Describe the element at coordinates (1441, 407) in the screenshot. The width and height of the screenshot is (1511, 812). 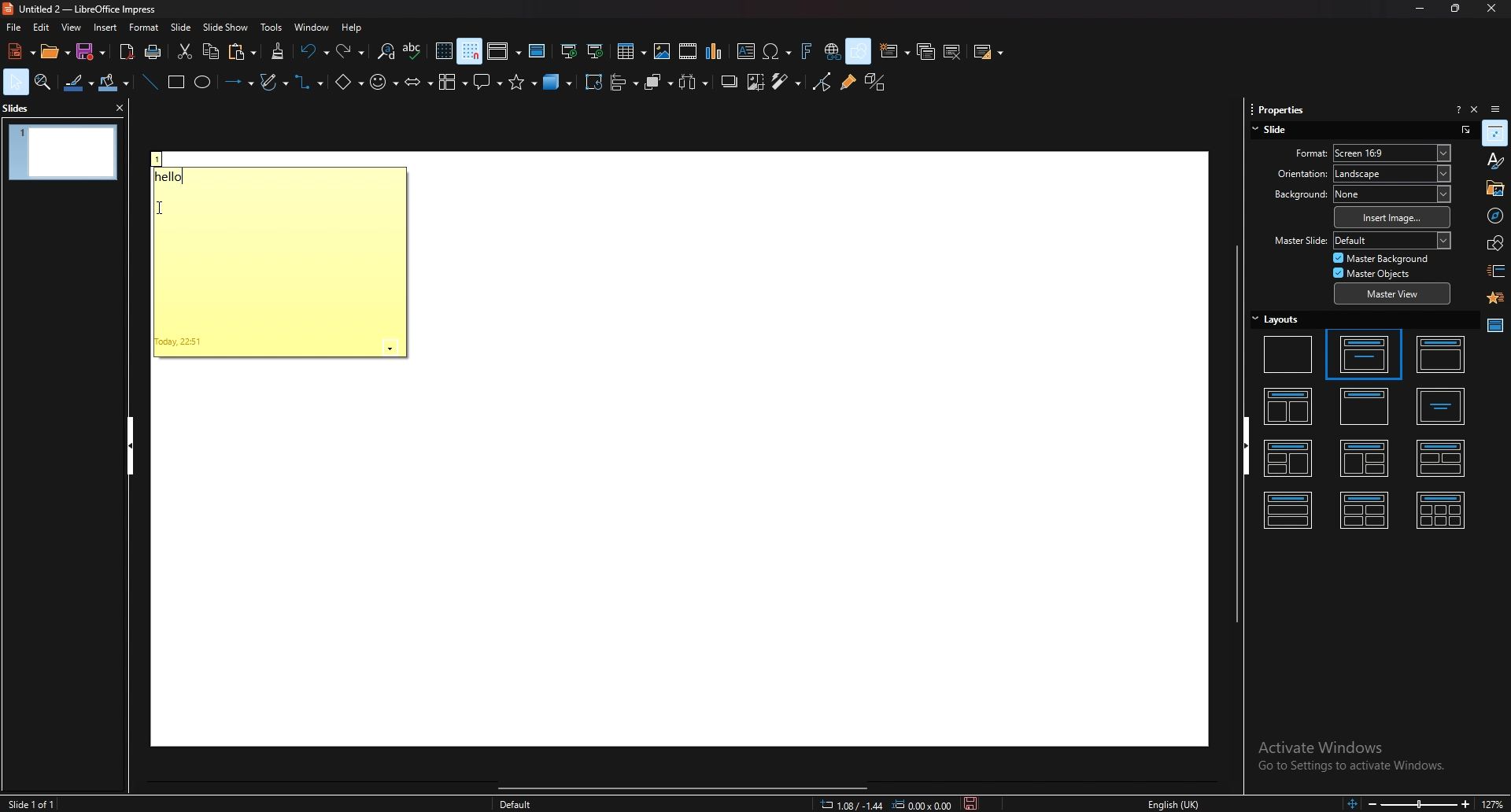
I see `centered text` at that location.